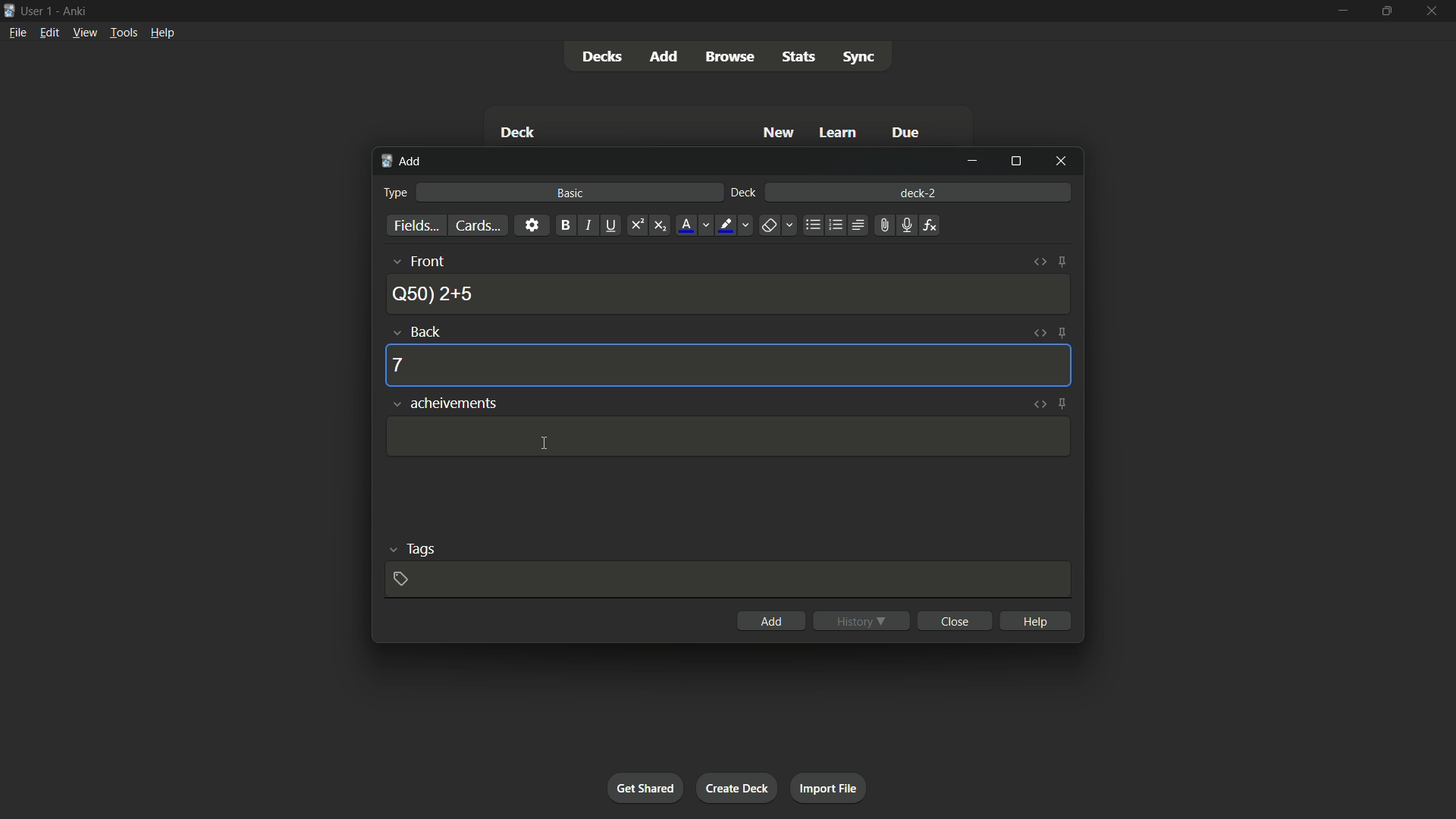 The image size is (1456, 819). I want to click on deck-2, so click(920, 192).